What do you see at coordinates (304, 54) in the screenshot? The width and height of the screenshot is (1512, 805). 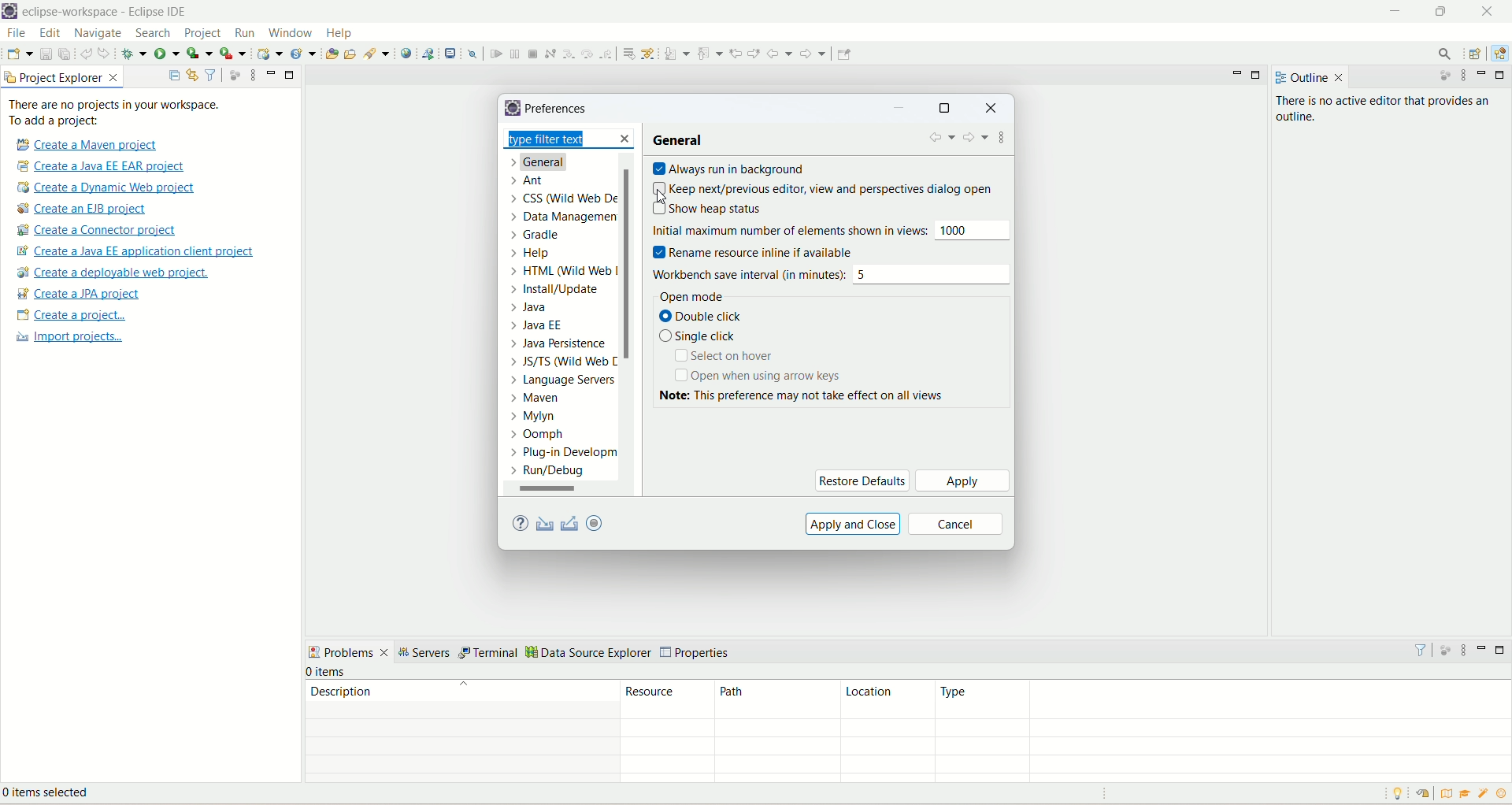 I see `create a new java servlet` at bounding box center [304, 54].